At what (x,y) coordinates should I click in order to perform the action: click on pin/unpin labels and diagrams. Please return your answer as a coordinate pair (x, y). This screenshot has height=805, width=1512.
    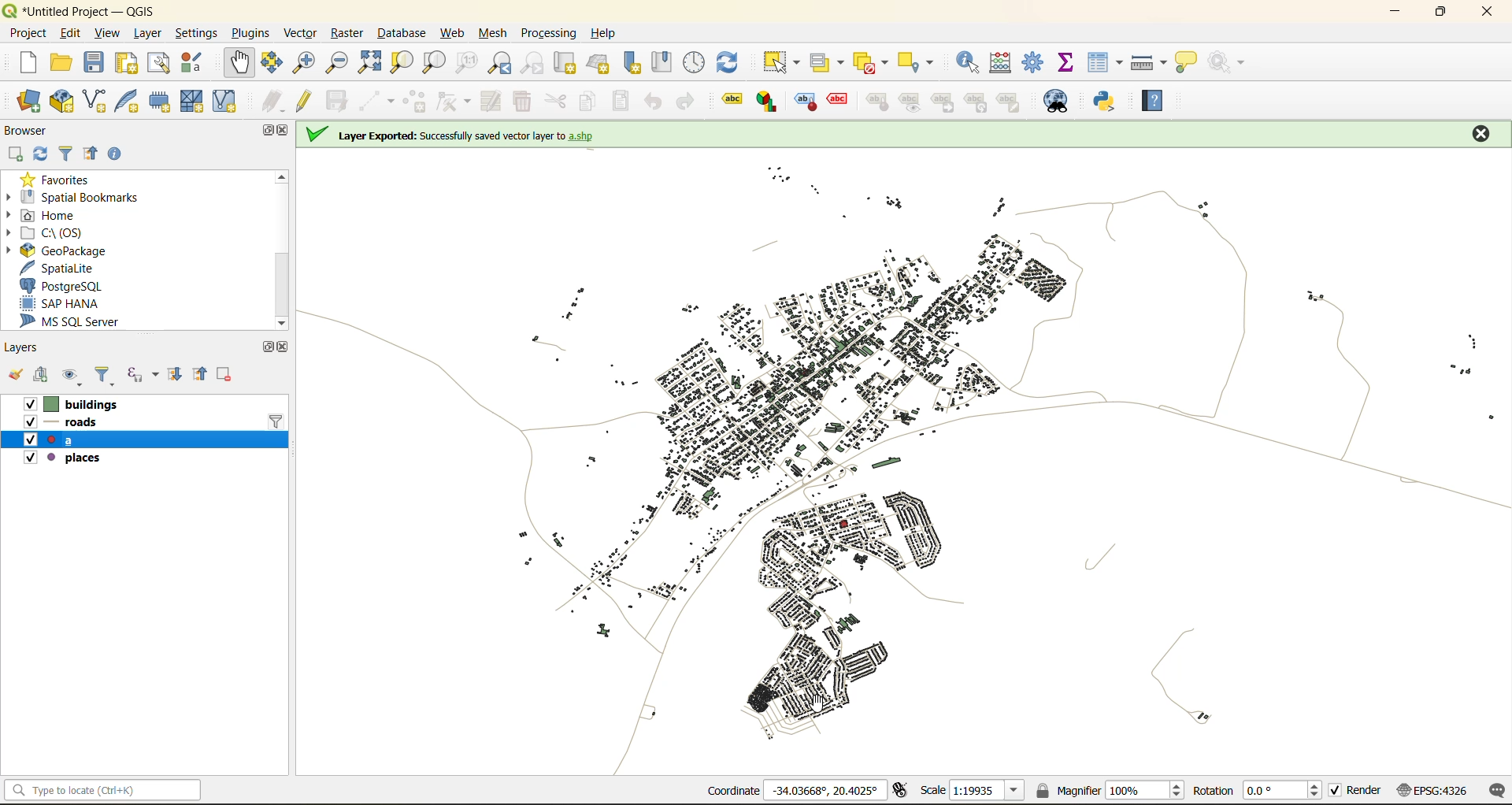
    Looking at the image, I should click on (879, 102).